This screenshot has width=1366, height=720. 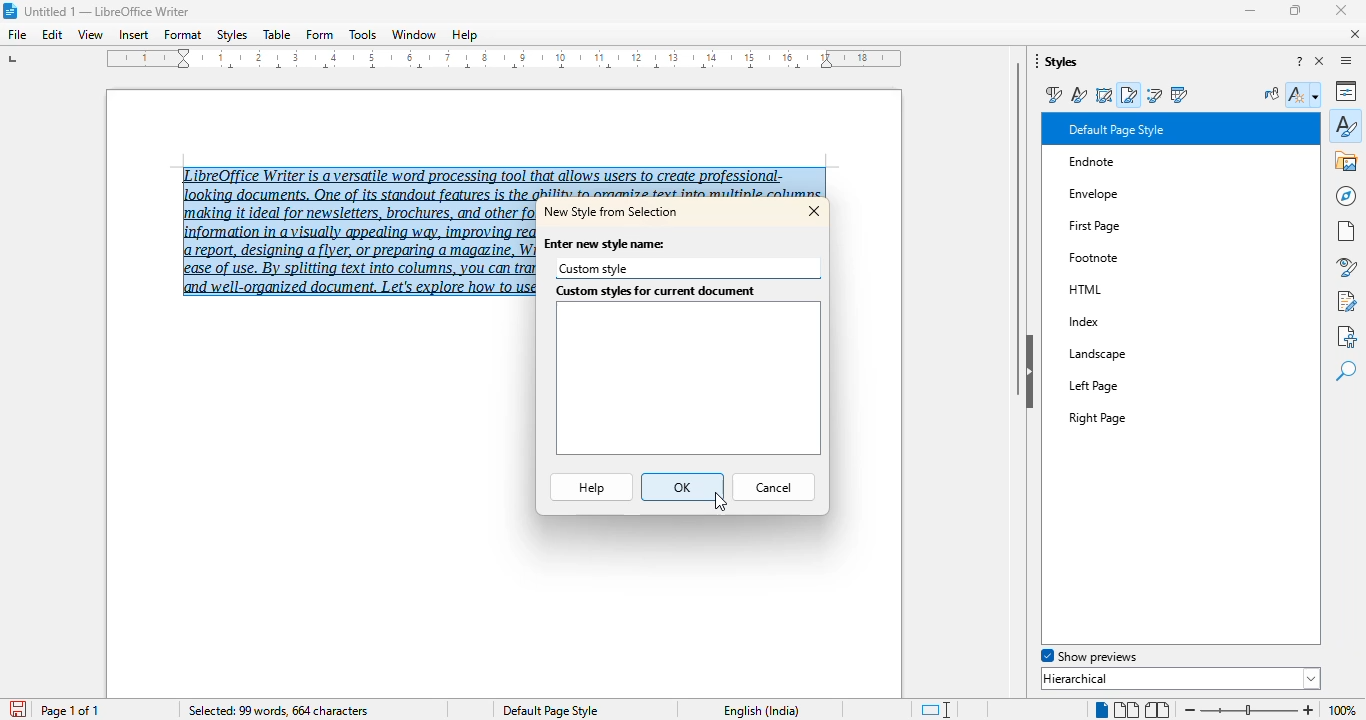 What do you see at coordinates (1122, 384) in the screenshot?
I see `Left Page` at bounding box center [1122, 384].